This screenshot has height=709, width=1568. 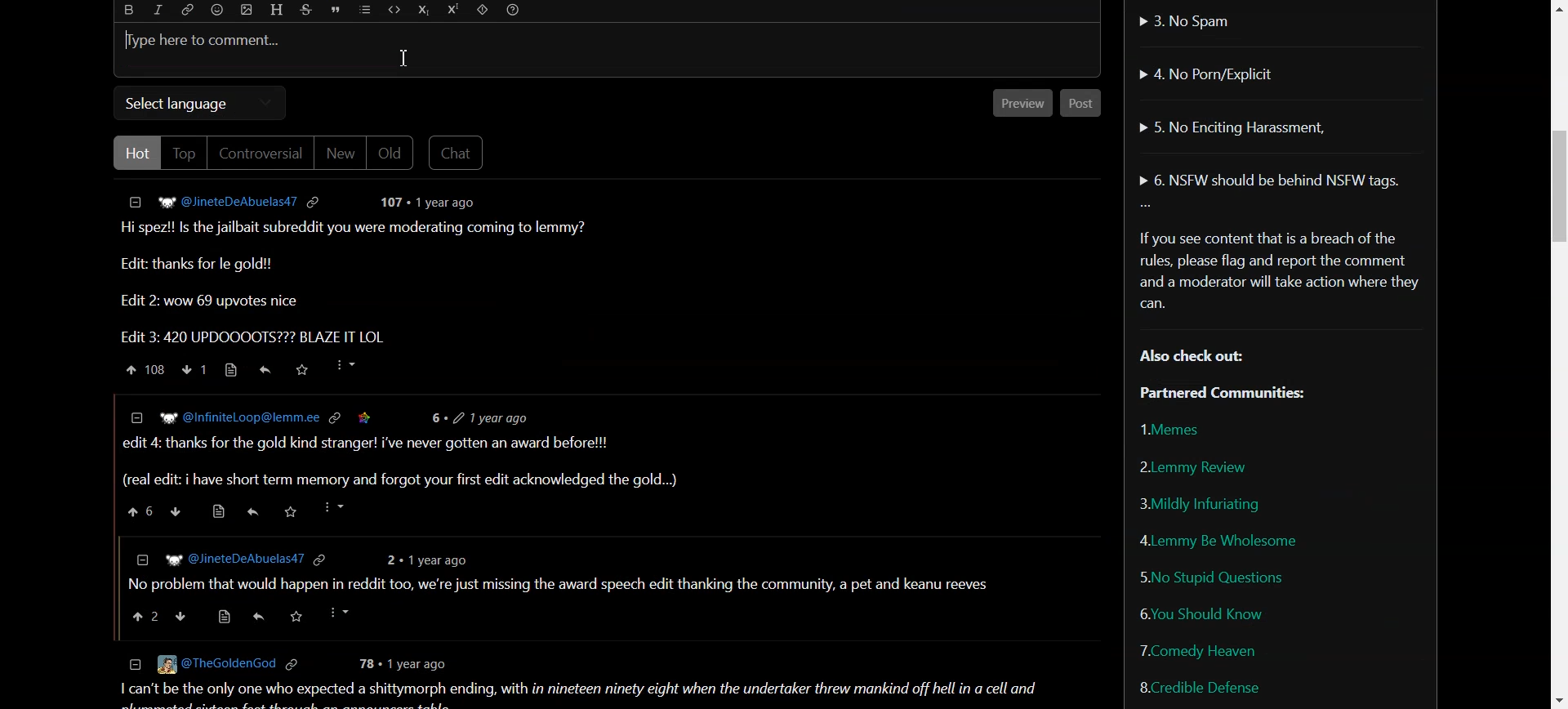 I want to click on Superscript, so click(x=452, y=11).